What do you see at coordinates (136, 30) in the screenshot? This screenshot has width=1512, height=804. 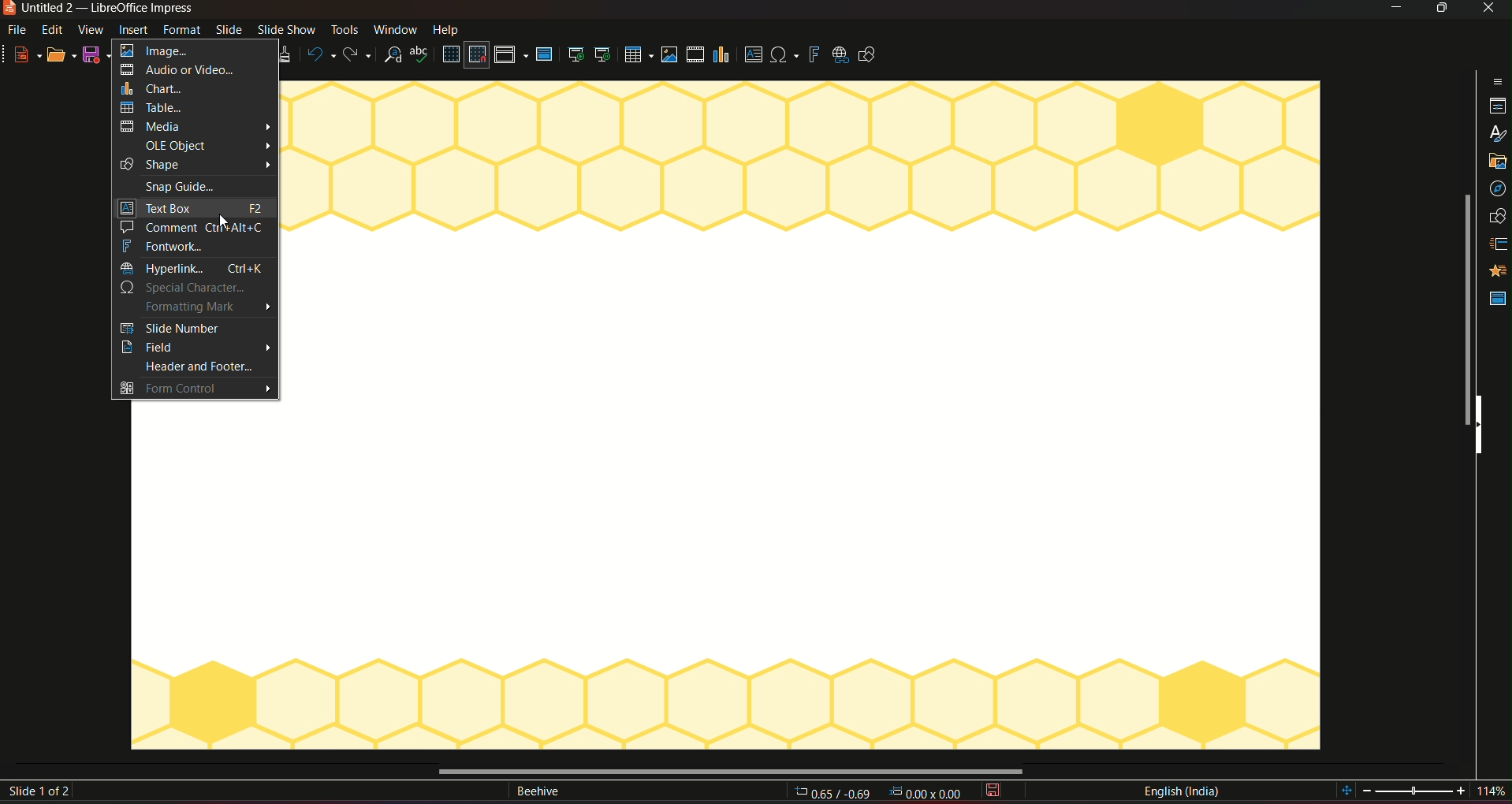 I see `insert` at bounding box center [136, 30].